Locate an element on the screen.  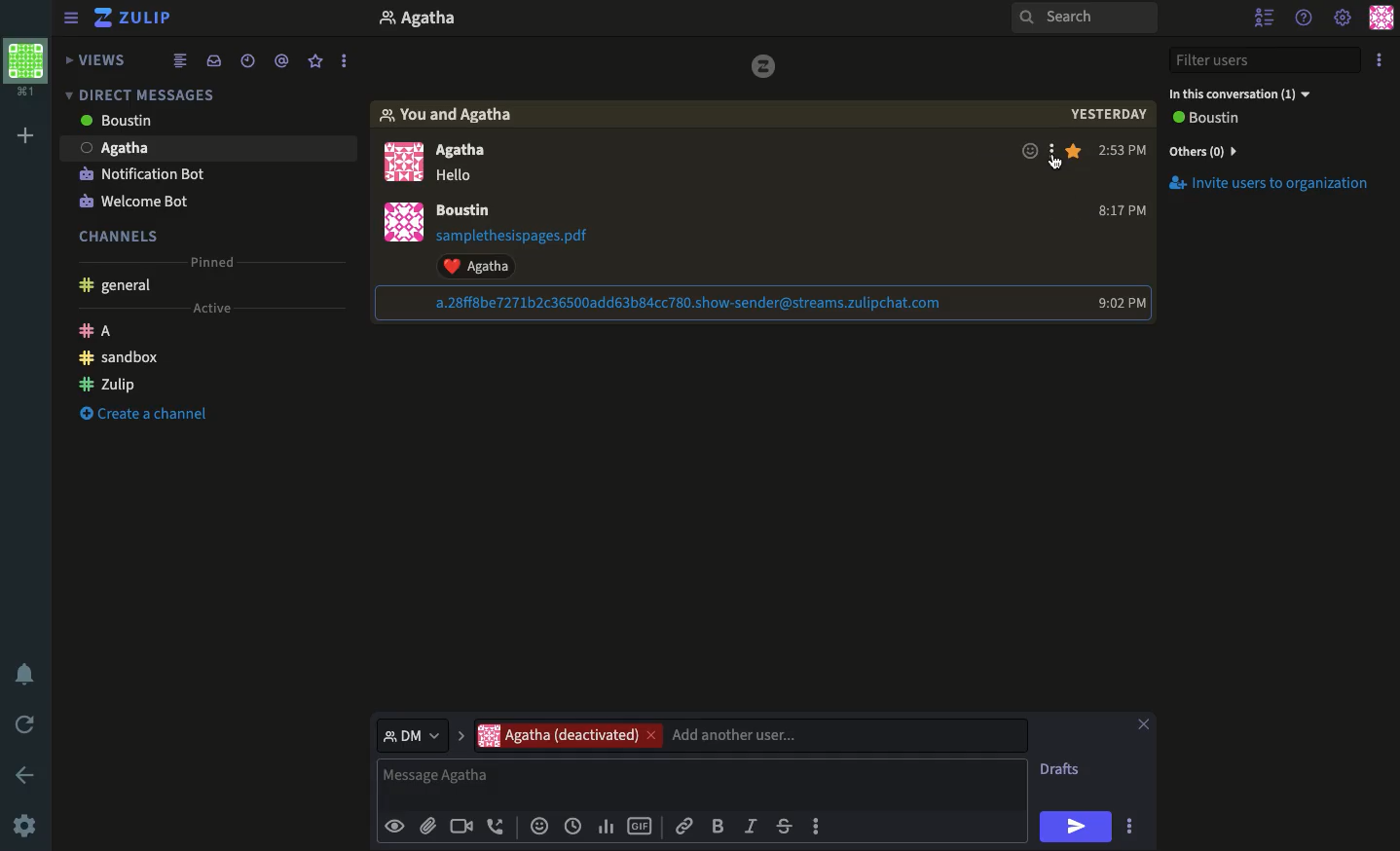
DM is located at coordinates (420, 734).